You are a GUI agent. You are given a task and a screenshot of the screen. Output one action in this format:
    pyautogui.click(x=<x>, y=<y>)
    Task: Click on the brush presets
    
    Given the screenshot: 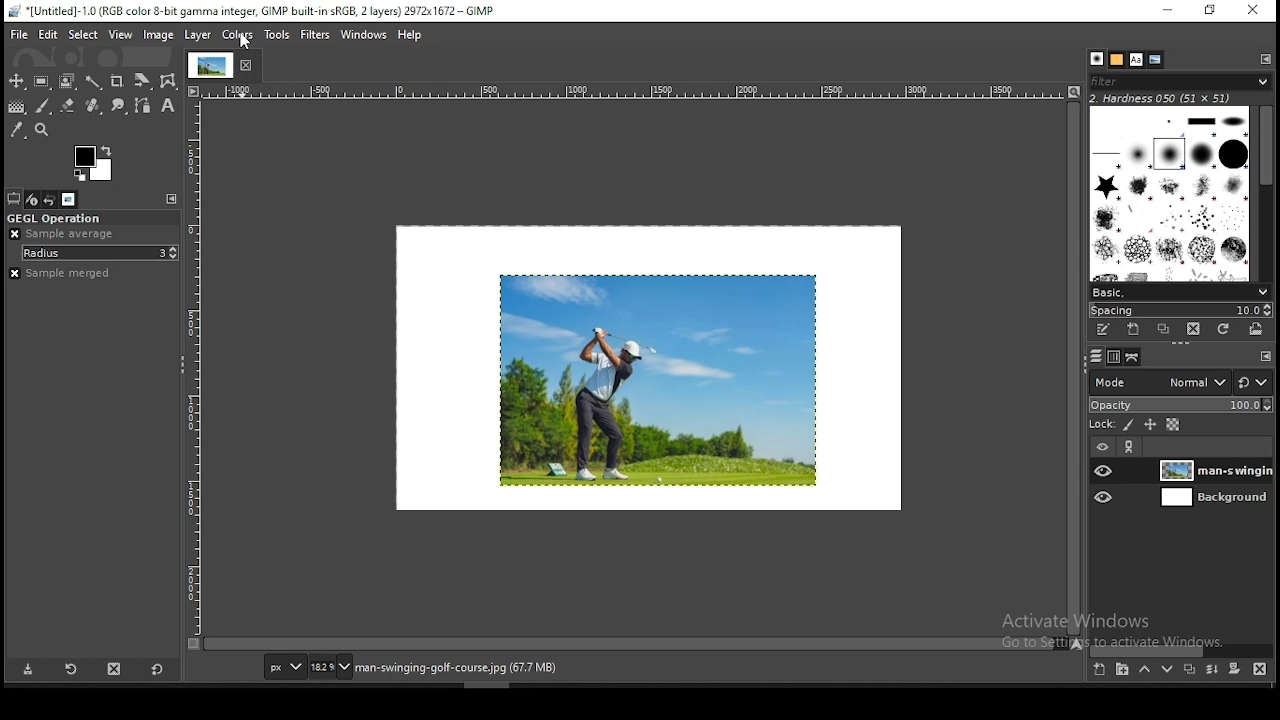 What is the action you would take?
    pyautogui.click(x=1179, y=292)
    